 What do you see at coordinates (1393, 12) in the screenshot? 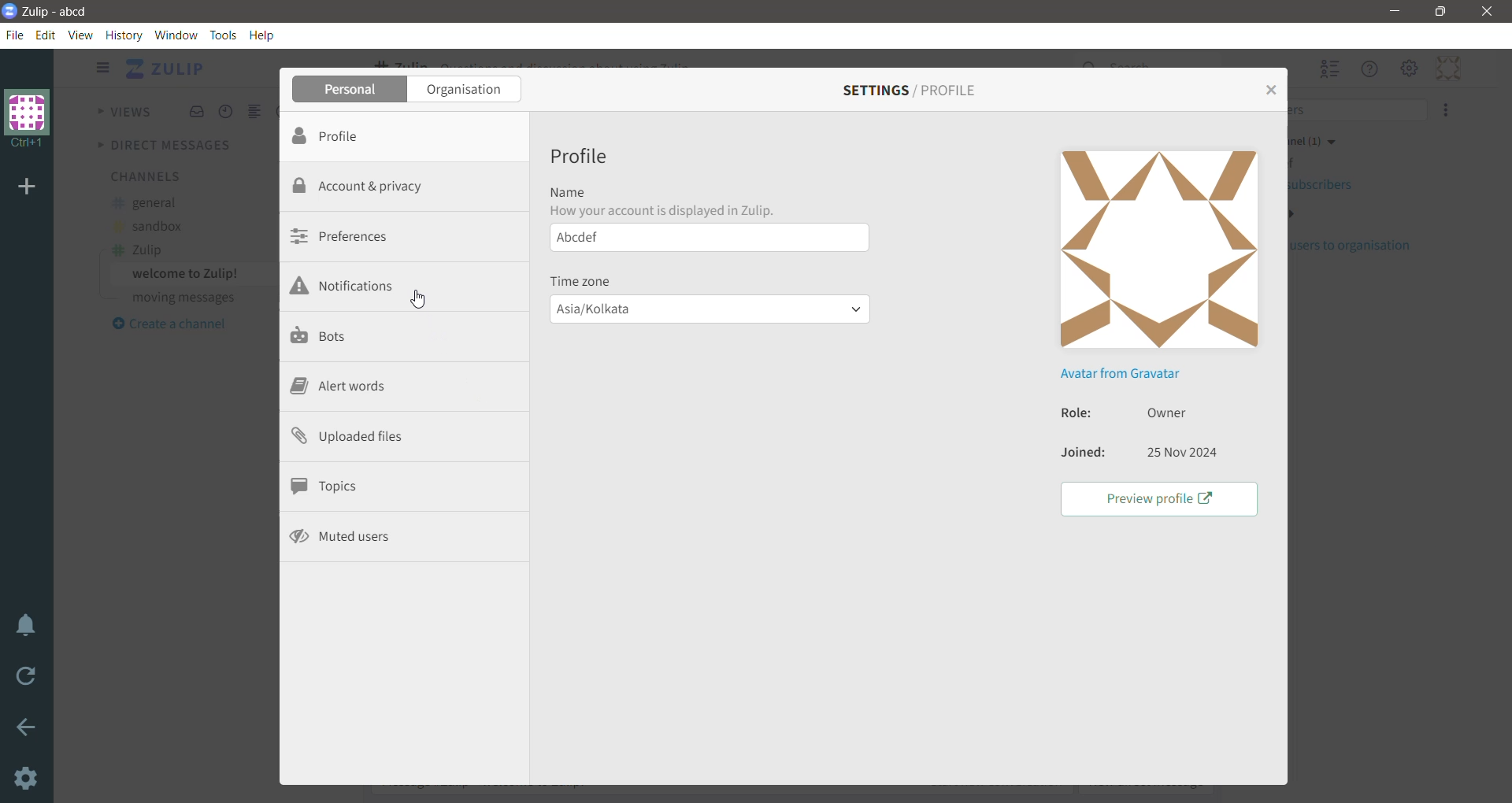
I see `Minimize` at bounding box center [1393, 12].